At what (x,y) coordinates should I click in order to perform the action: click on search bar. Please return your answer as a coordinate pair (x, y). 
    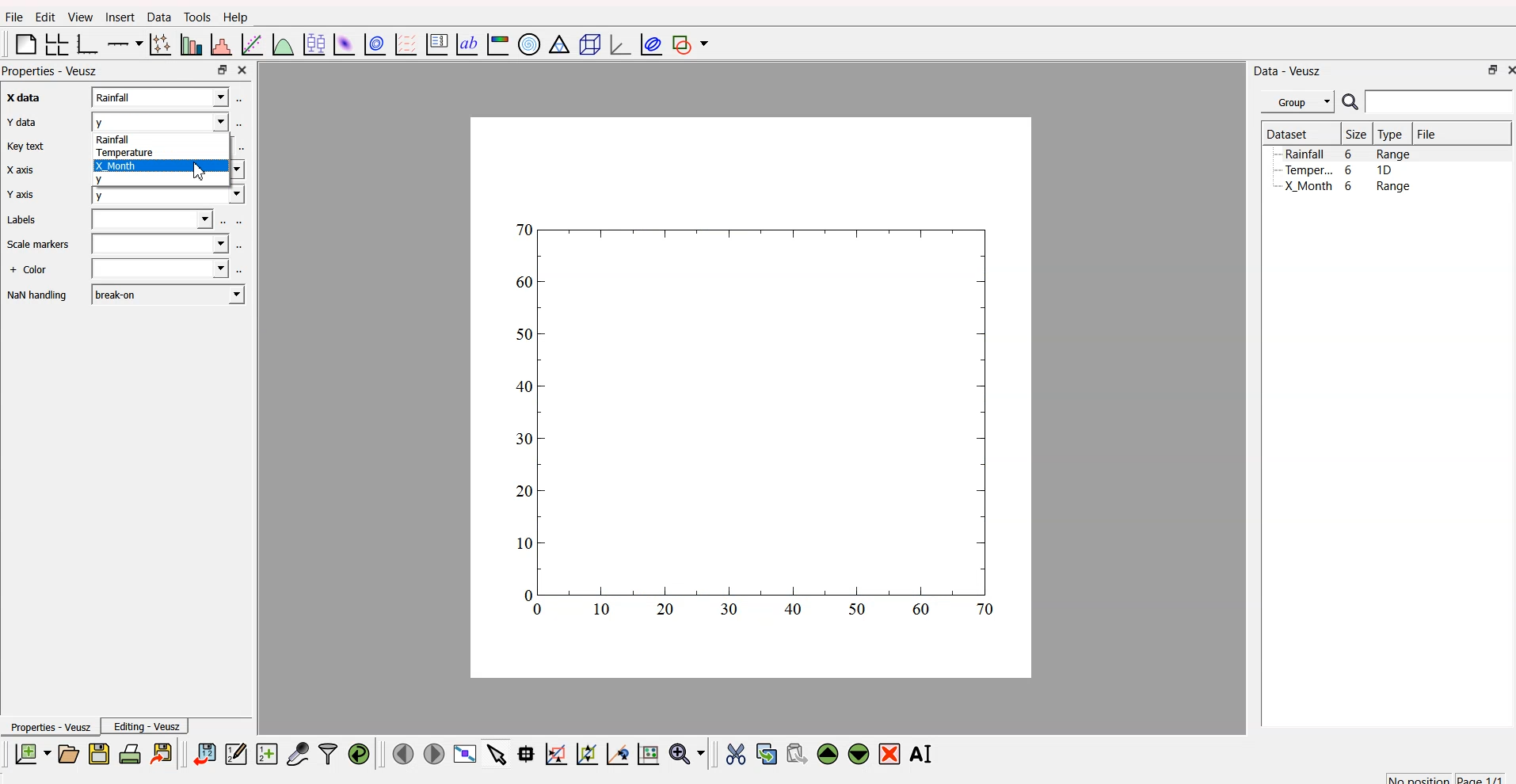
    Looking at the image, I should click on (1442, 104).